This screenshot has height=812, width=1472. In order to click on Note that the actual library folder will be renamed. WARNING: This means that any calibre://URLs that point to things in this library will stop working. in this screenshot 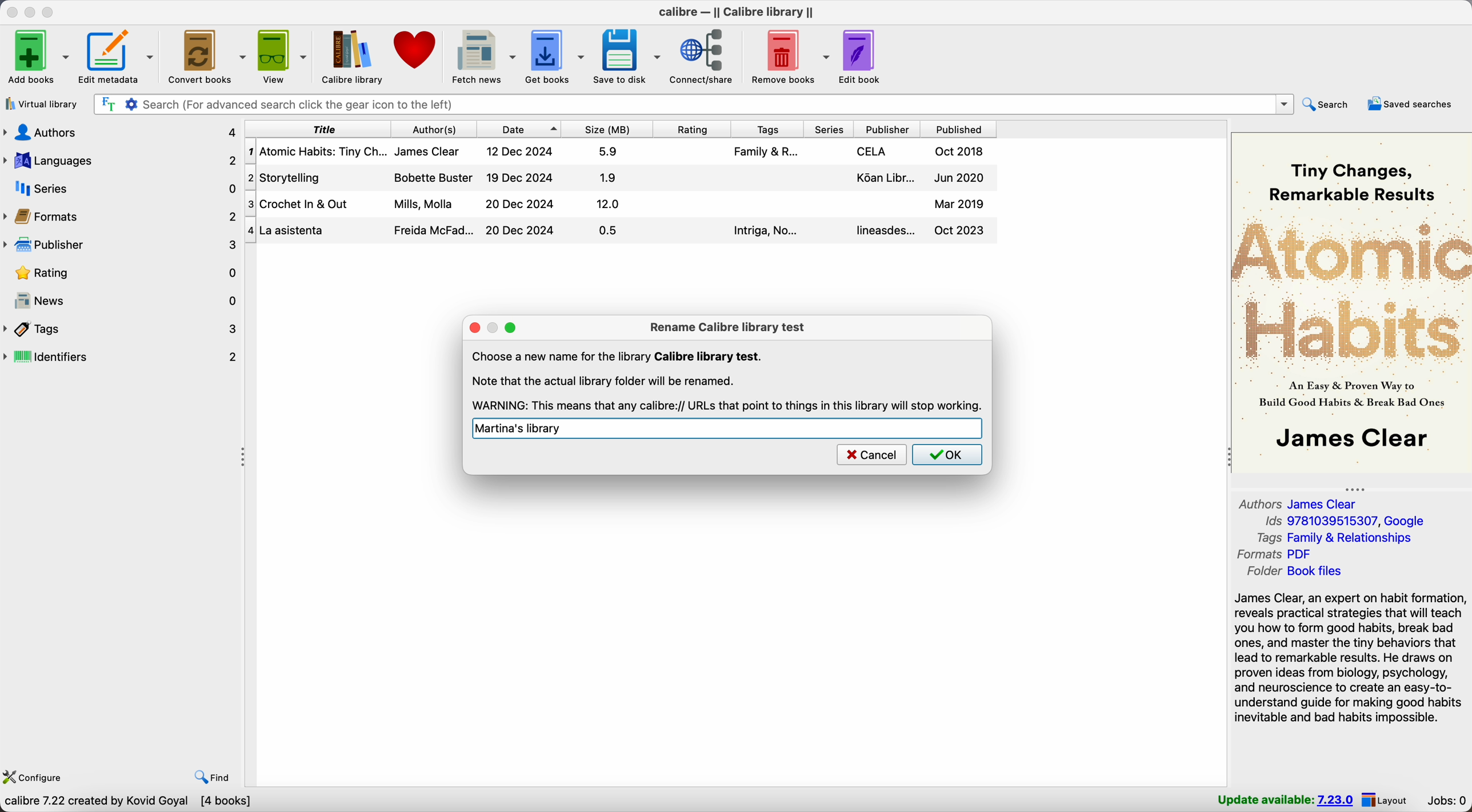, I will do `click(725, 393)`.